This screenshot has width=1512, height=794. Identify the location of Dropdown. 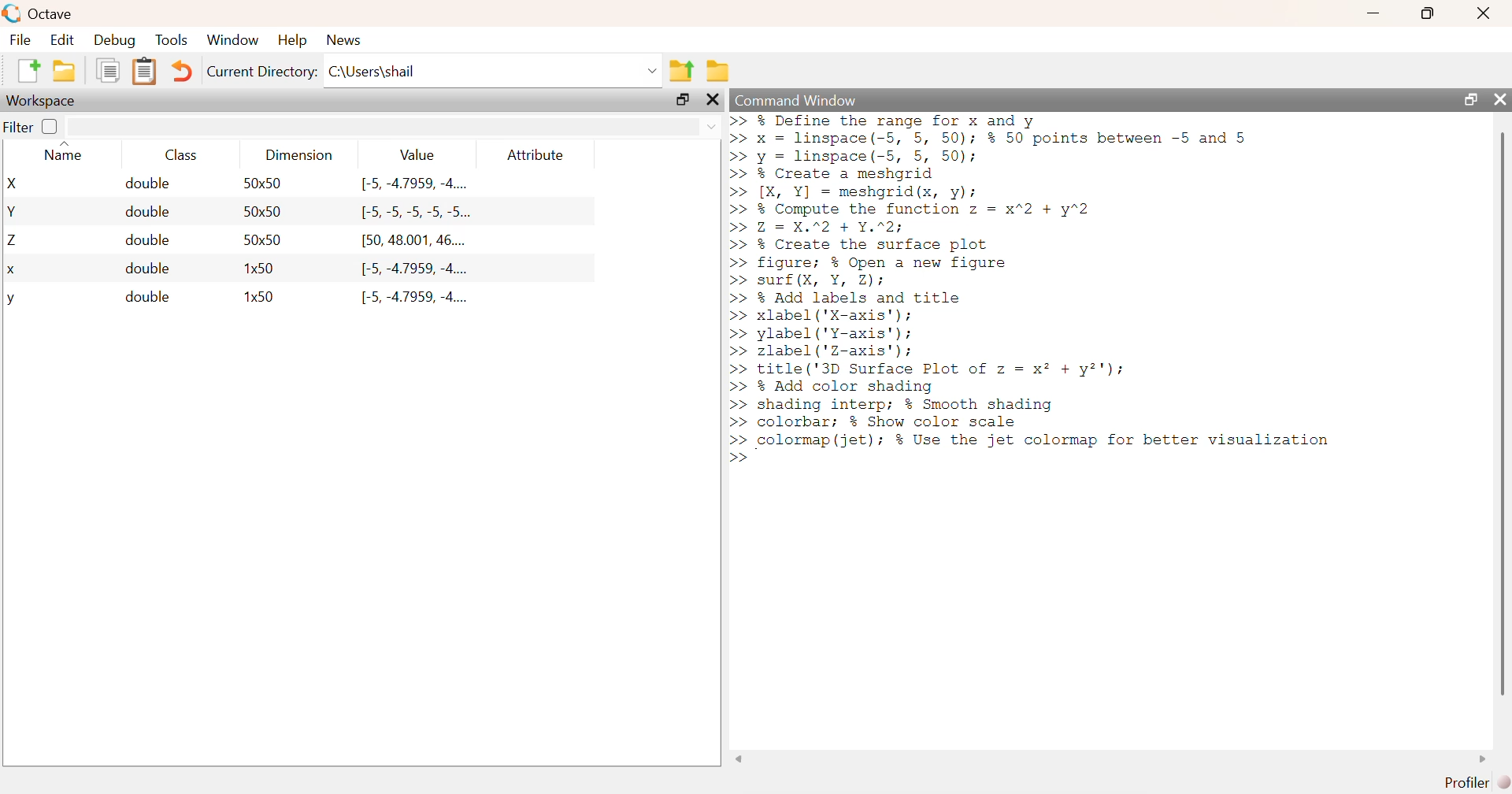
(654, 72).